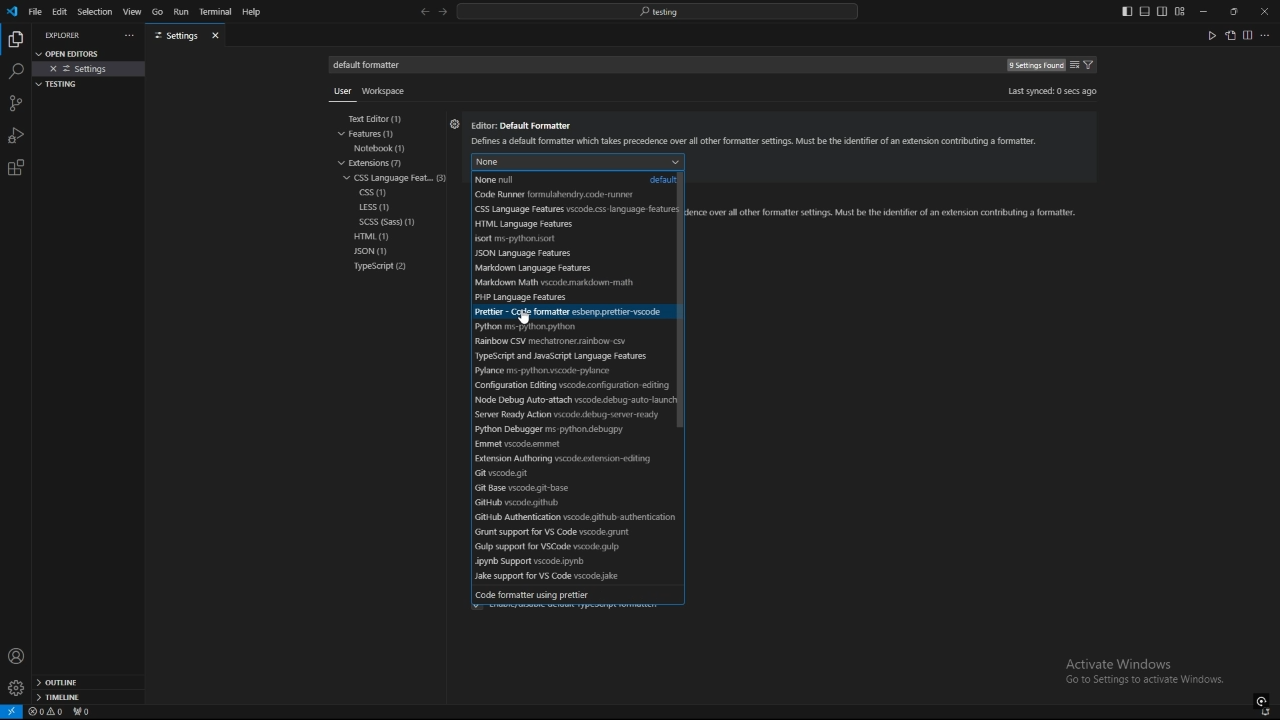 The width and height of the screenshot is (1280, 720). I want to click on cursor, so click(531, 316).